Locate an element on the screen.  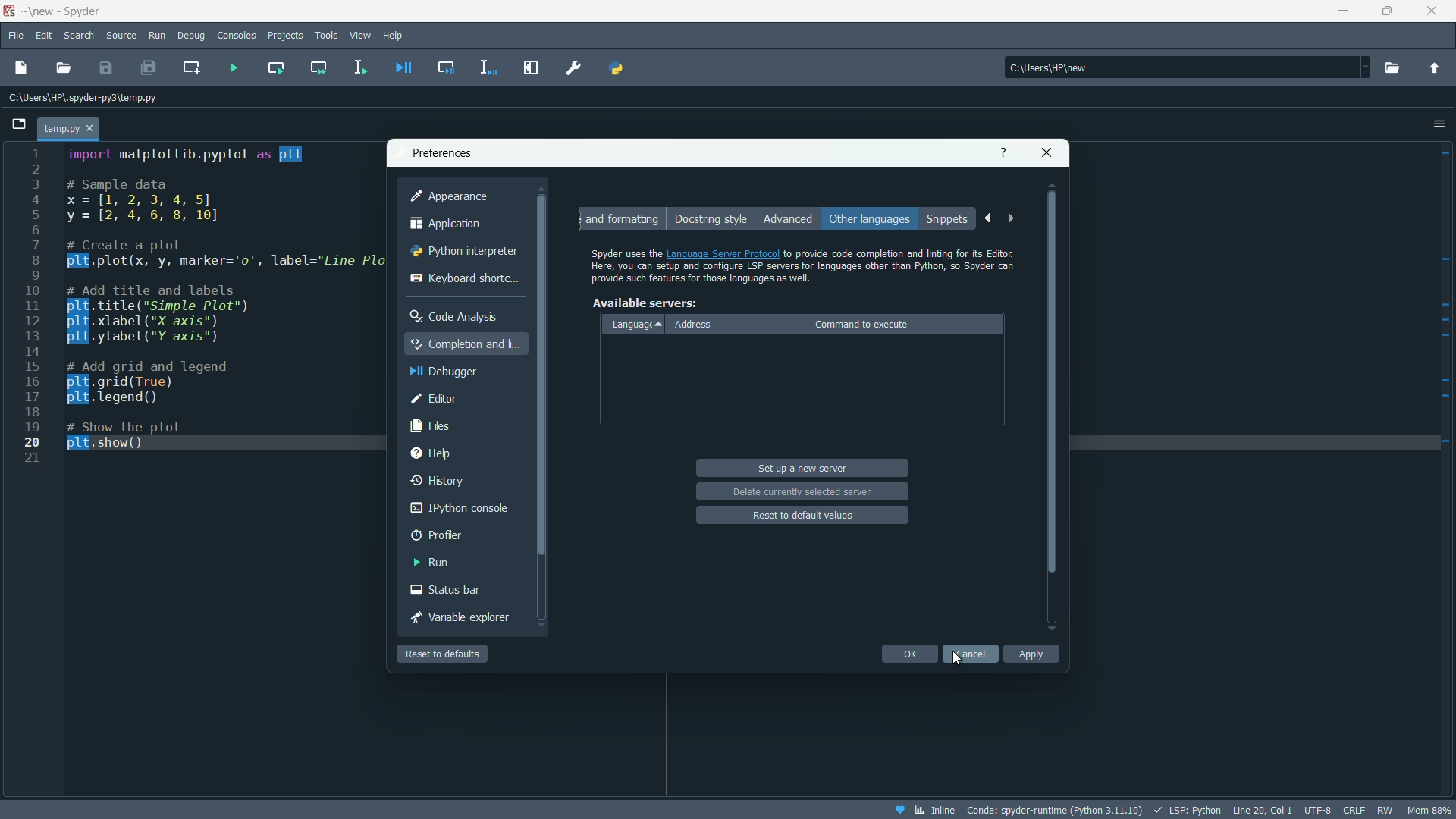
scroll bar is located at coordinates (1053, 408).